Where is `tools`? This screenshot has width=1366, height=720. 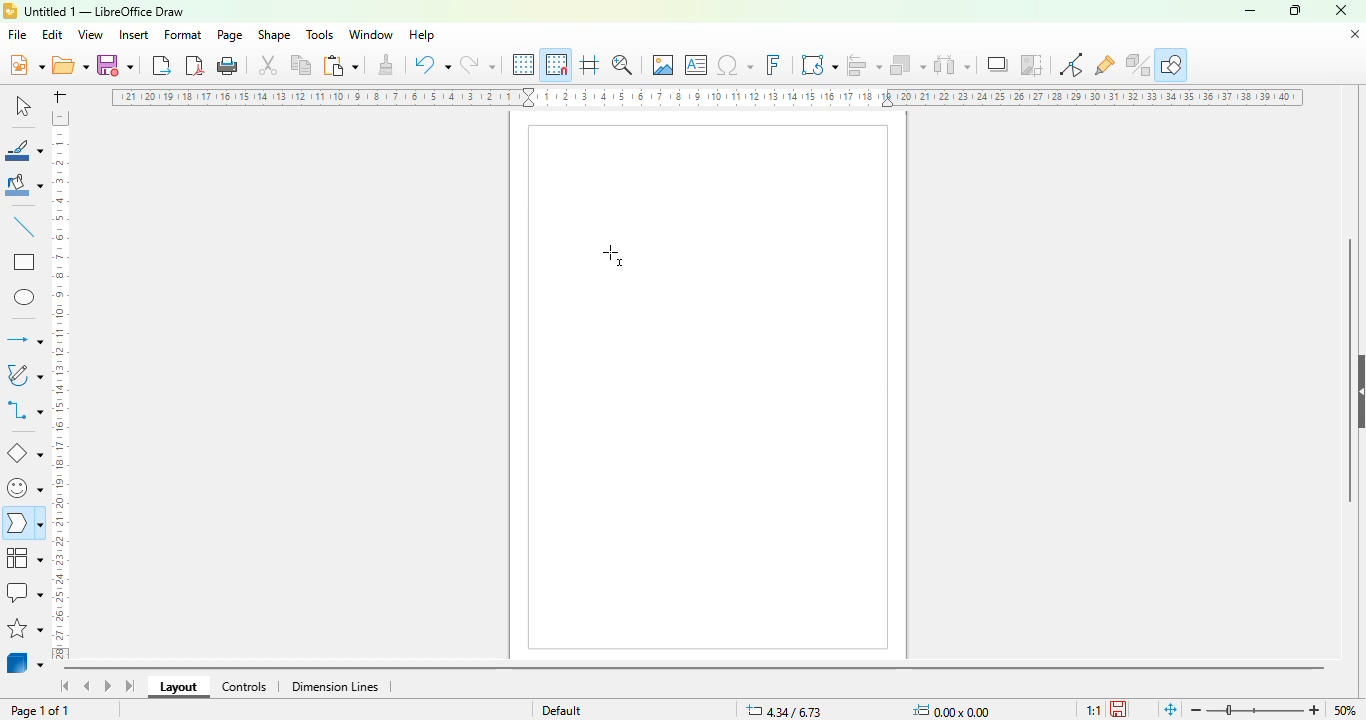
tools is located at coordinates (319, 34).